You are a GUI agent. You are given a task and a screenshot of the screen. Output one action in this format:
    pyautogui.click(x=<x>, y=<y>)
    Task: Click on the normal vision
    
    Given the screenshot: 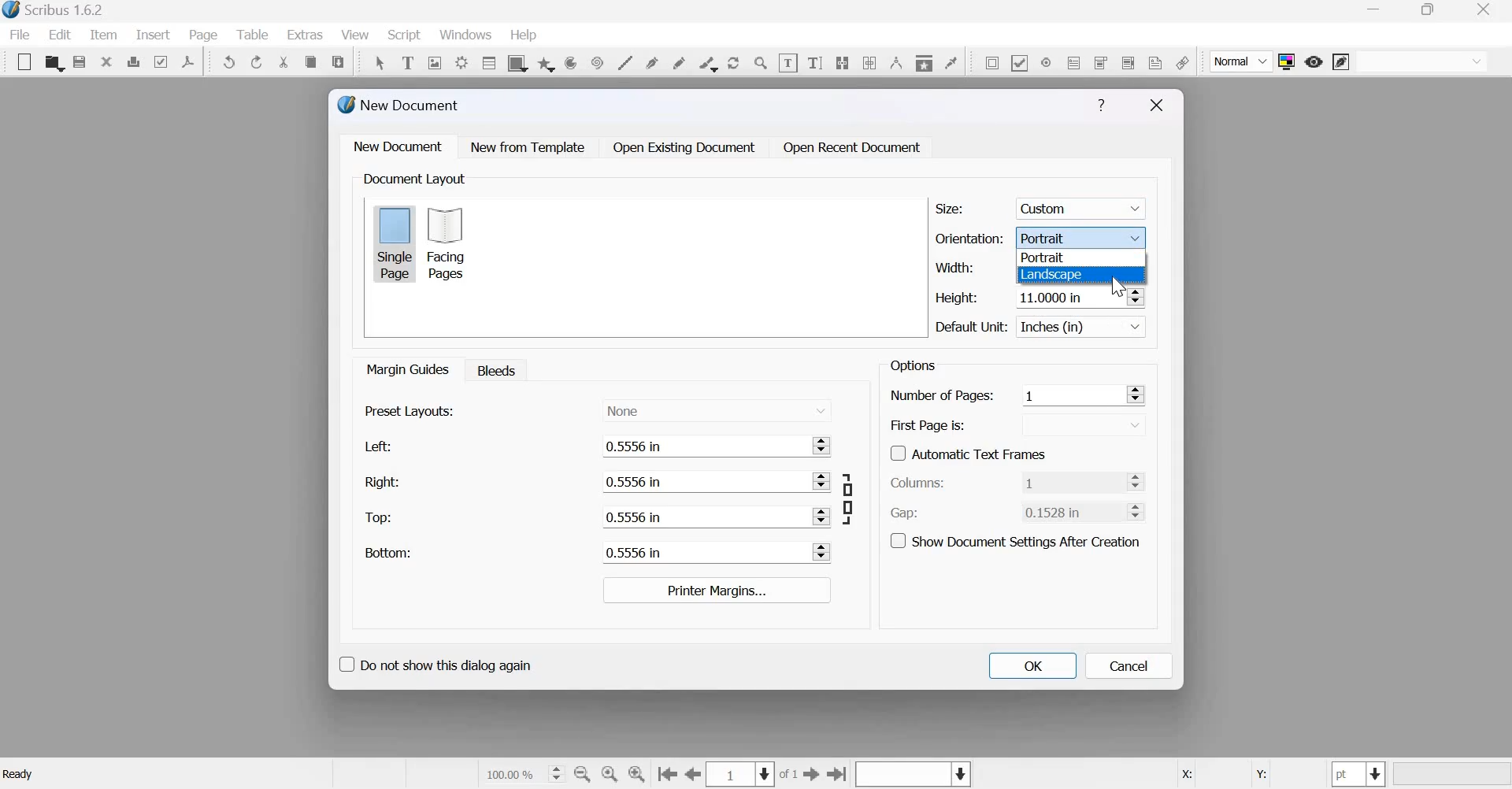 What is the action you would take?
    pyautogui.click(x=1422, y=61)
    